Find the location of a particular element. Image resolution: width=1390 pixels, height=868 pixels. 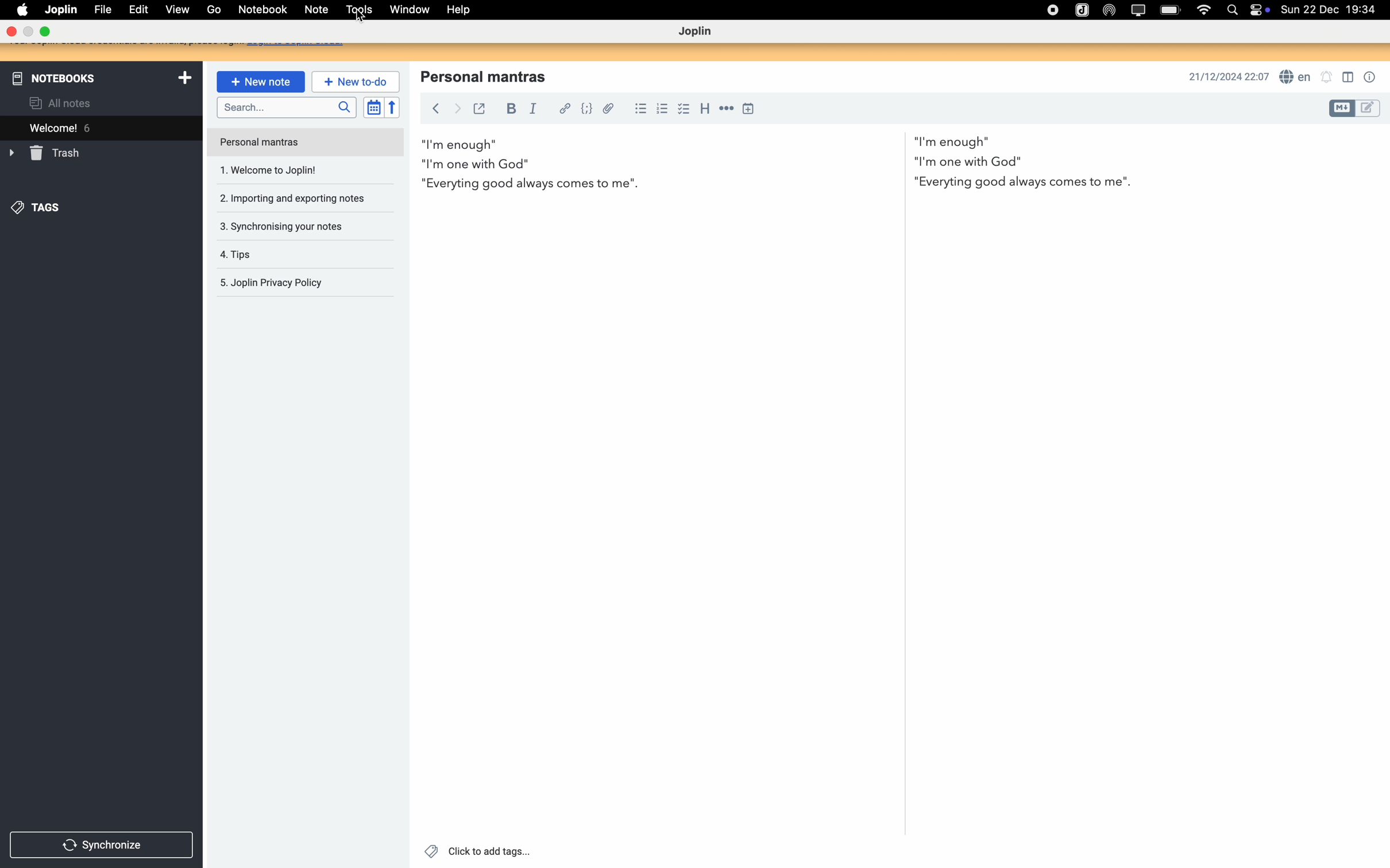

Joplin icon is located at coordinates (1082, 10).